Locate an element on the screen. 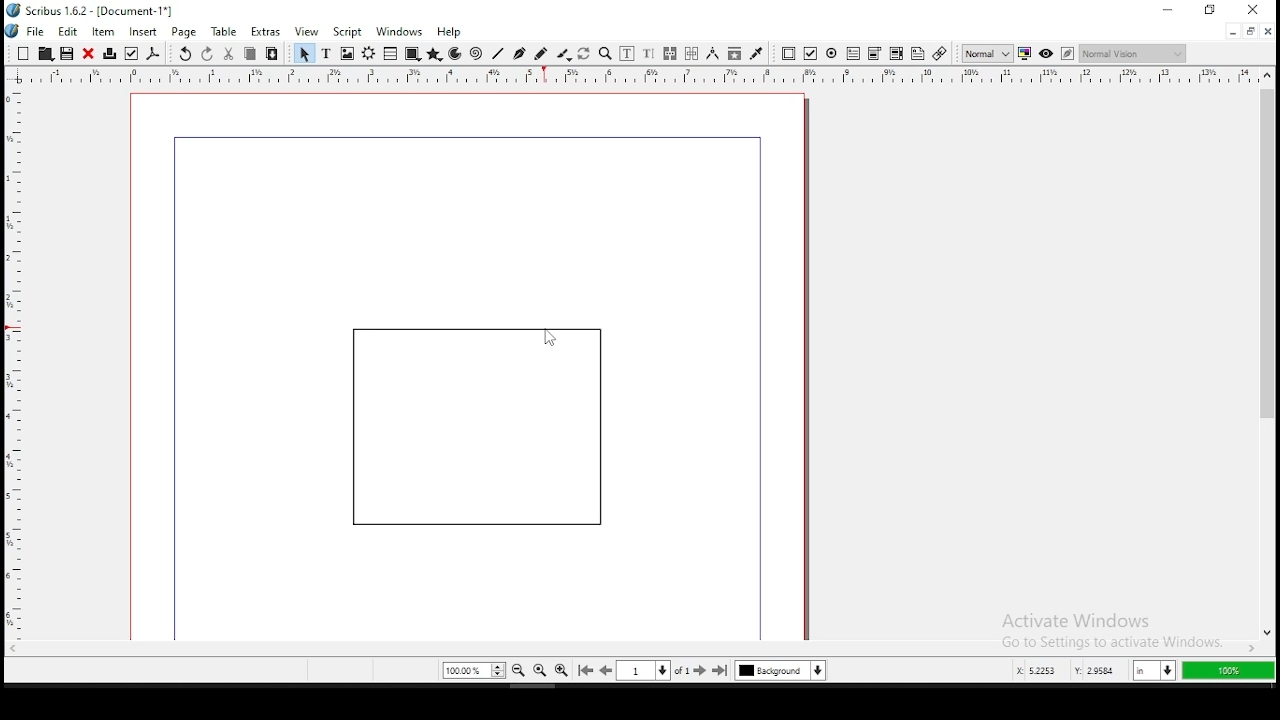 Image resolution: width=1280 pixels, height=720 pixels. insert is located at coordinates (144, 32).